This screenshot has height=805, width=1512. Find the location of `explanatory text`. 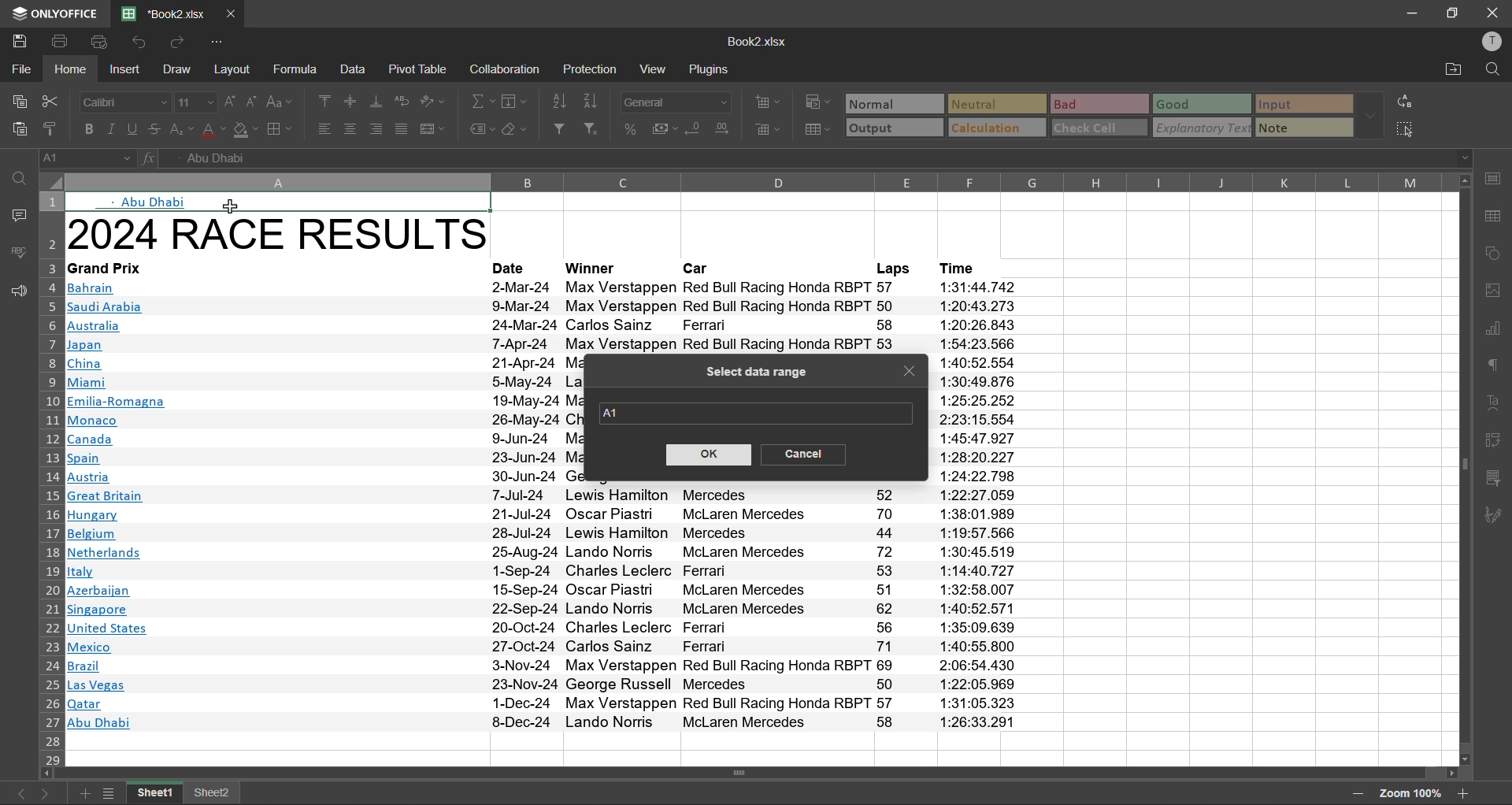

explanatory text is located at coordinates (1202, 129).